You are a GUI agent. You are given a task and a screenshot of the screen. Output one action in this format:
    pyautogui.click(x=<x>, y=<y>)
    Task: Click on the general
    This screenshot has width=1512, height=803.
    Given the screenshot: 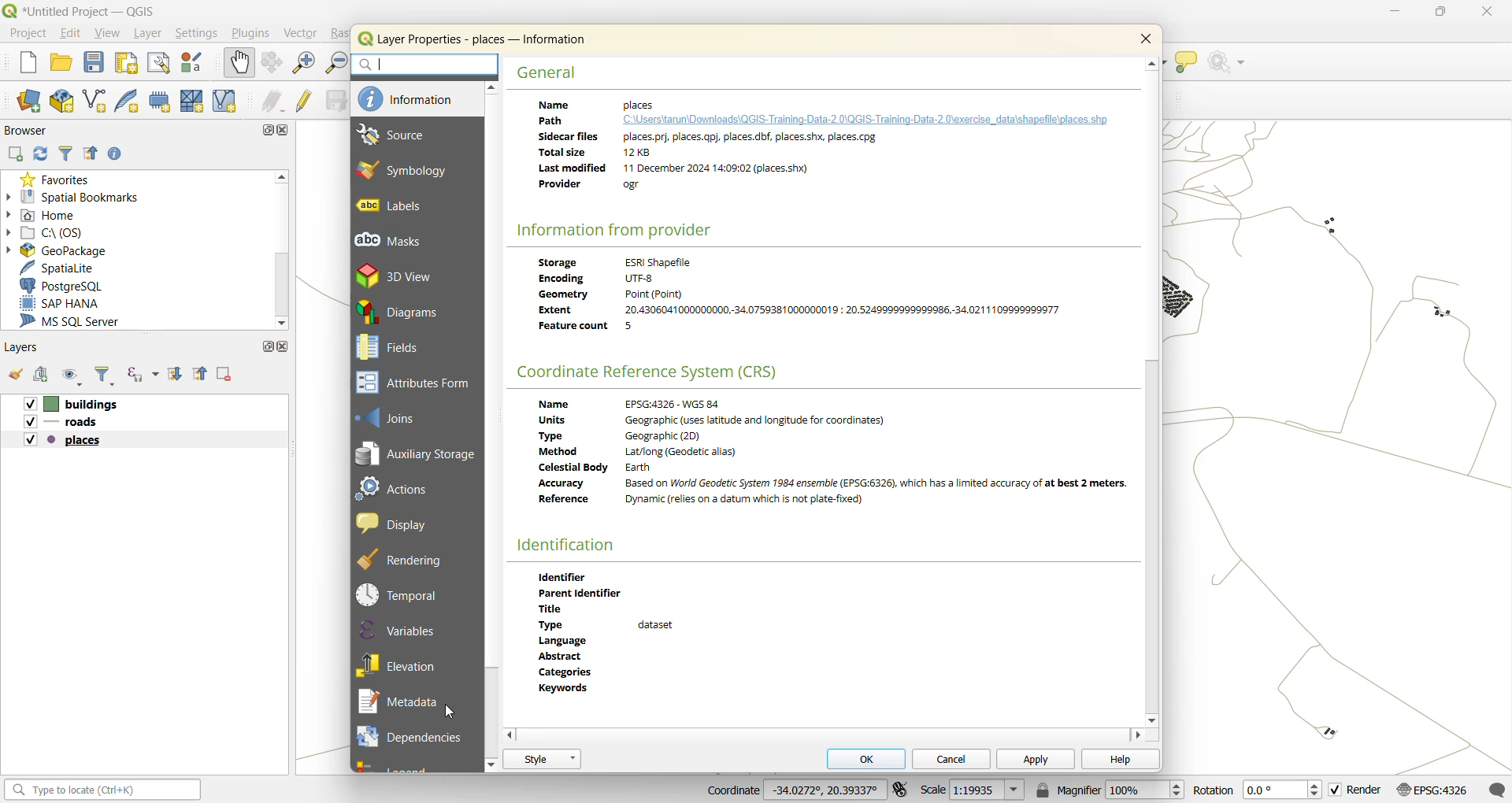 What is the action you would take?
    pyautogui.click(x=548, y=72)
    